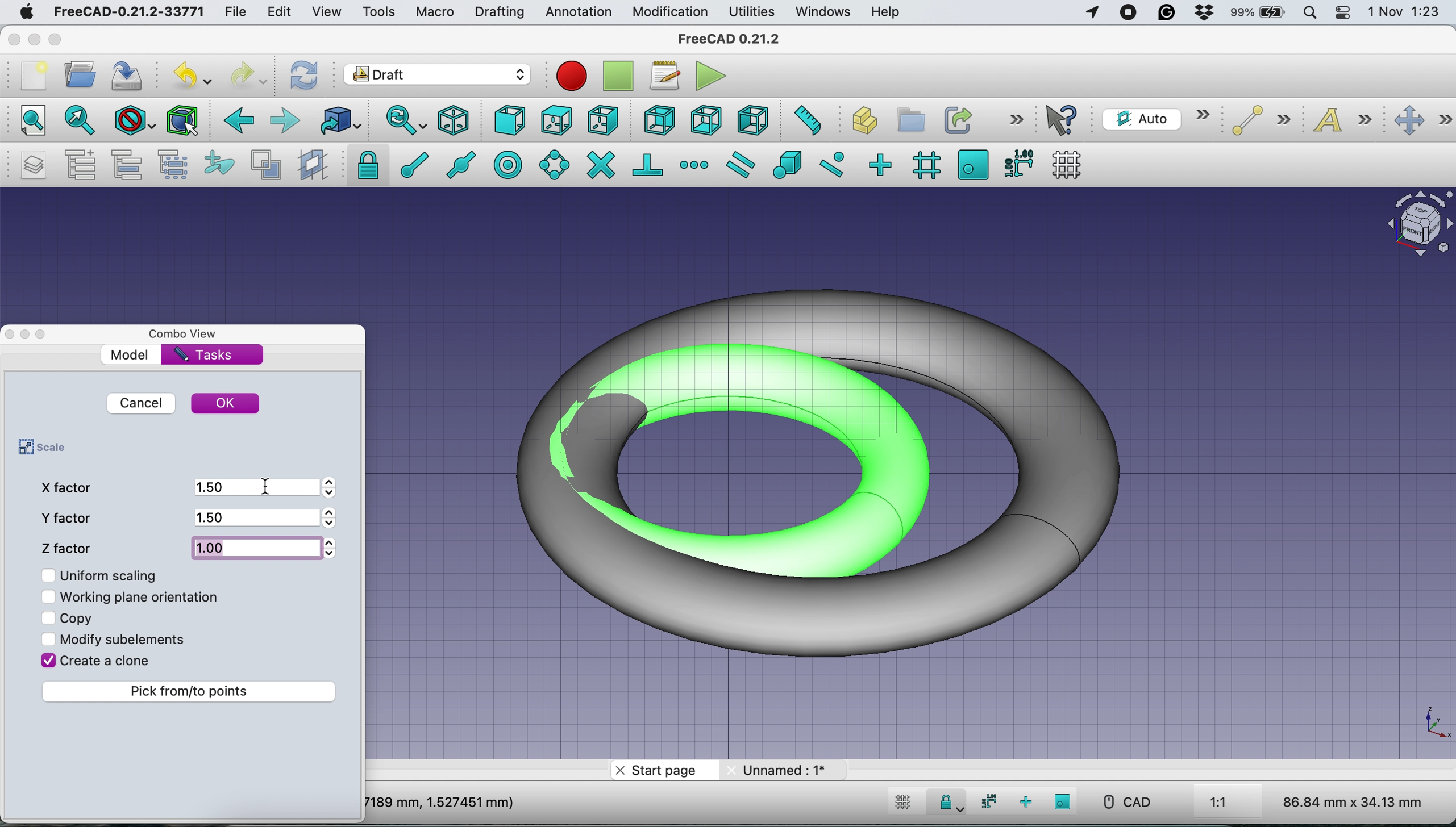  Describe the element at coordinates (883, 164) in the screenshot. I see `snap ortho` at that location.